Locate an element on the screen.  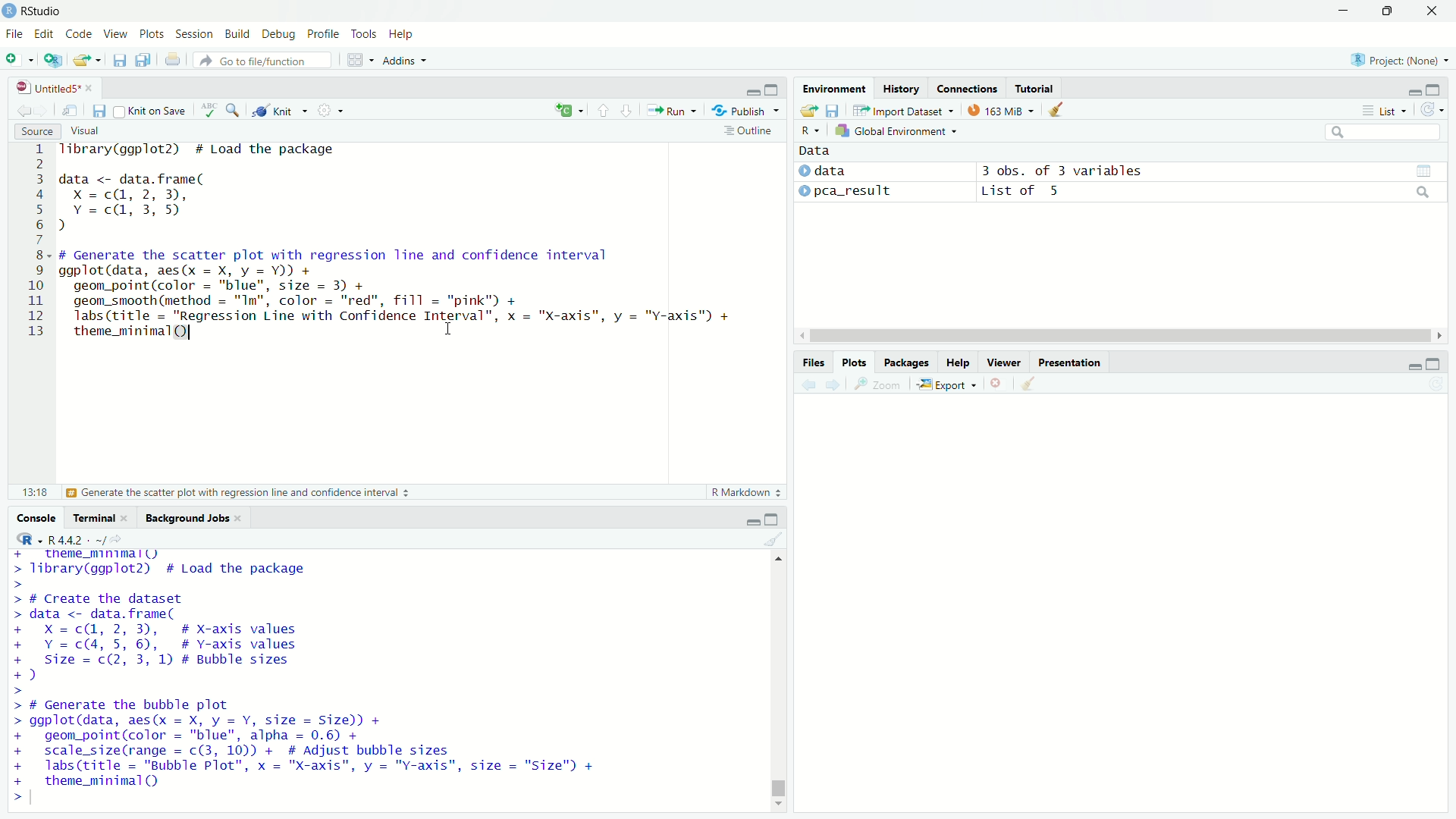
Workspace panes is located at coordinates (359, 60).